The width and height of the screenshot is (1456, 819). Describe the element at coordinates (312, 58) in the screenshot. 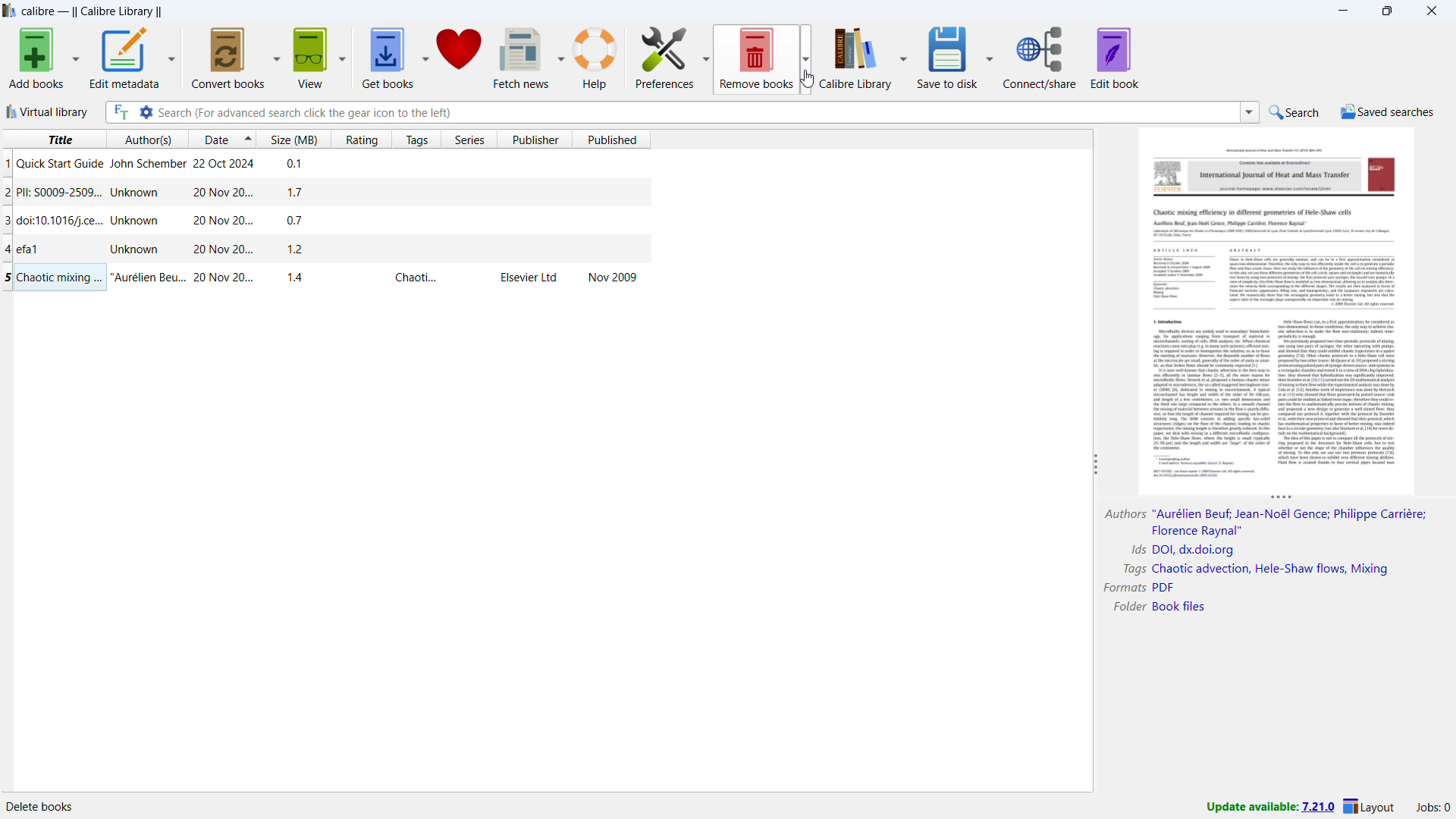

I see `view` at that location.